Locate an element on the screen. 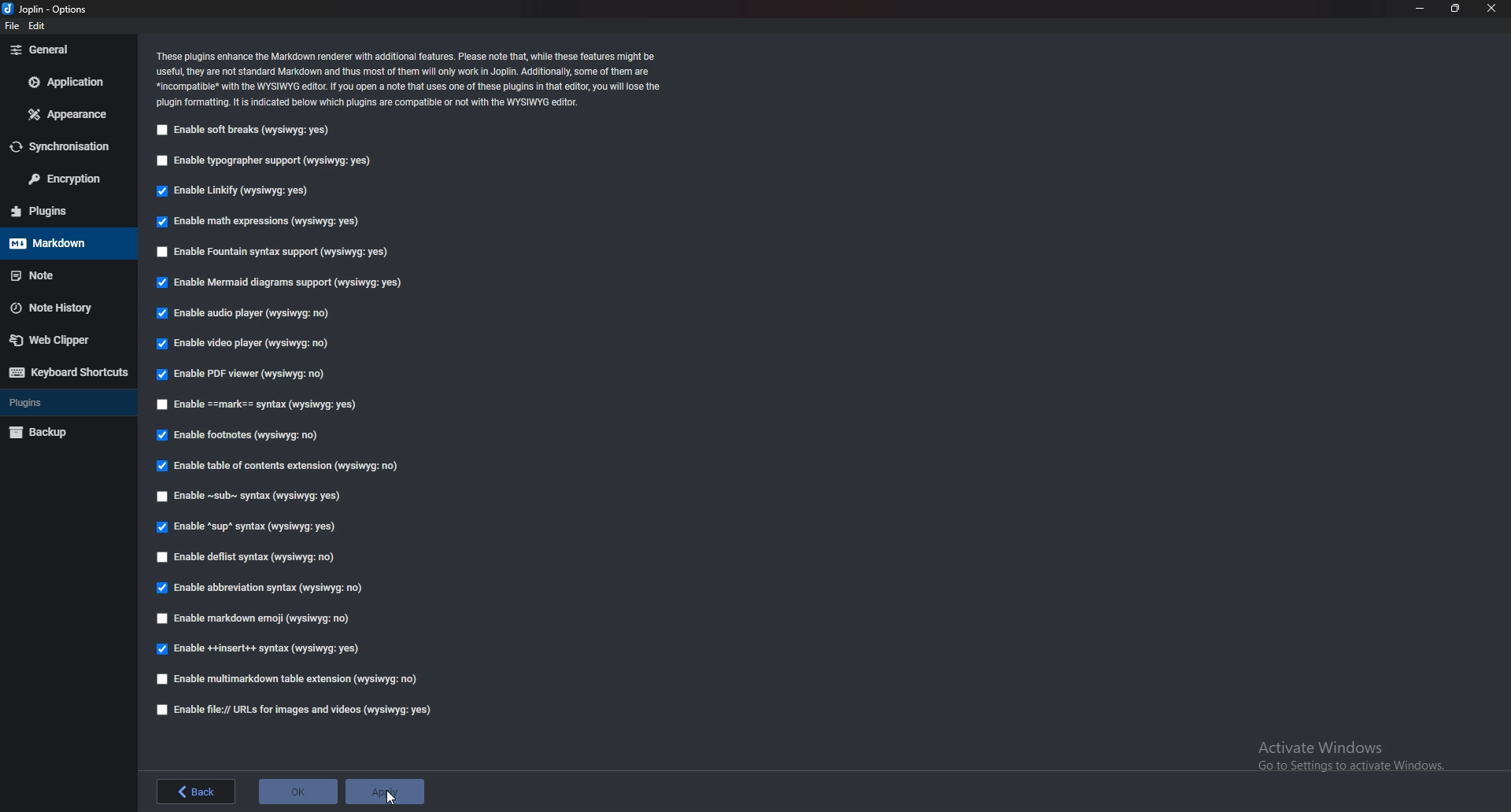  Enable Mark Syntax is located at coordinates (261, 407).